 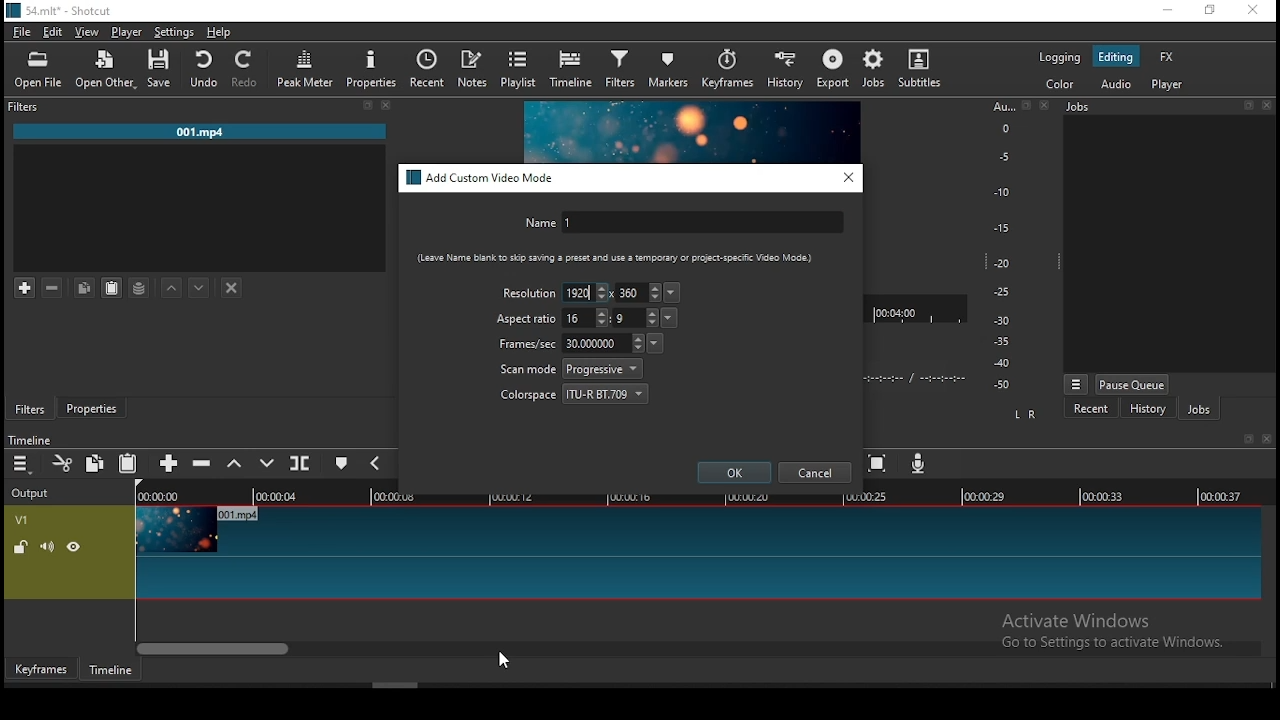 I want to click on open file, so click(x=38, y=71).